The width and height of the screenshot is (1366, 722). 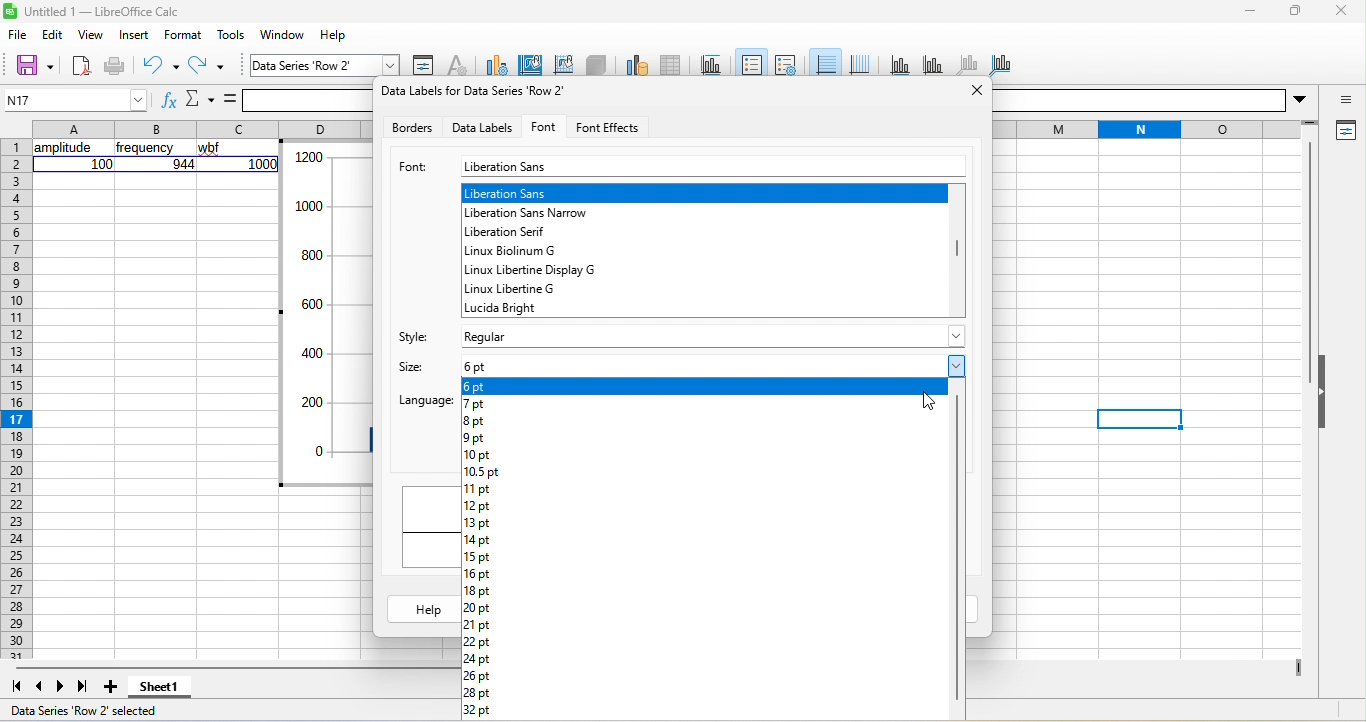 What do you see at coordinates (750, 62) in the screenshot?
I see `legend on/off` at bounding box center [750, 62].